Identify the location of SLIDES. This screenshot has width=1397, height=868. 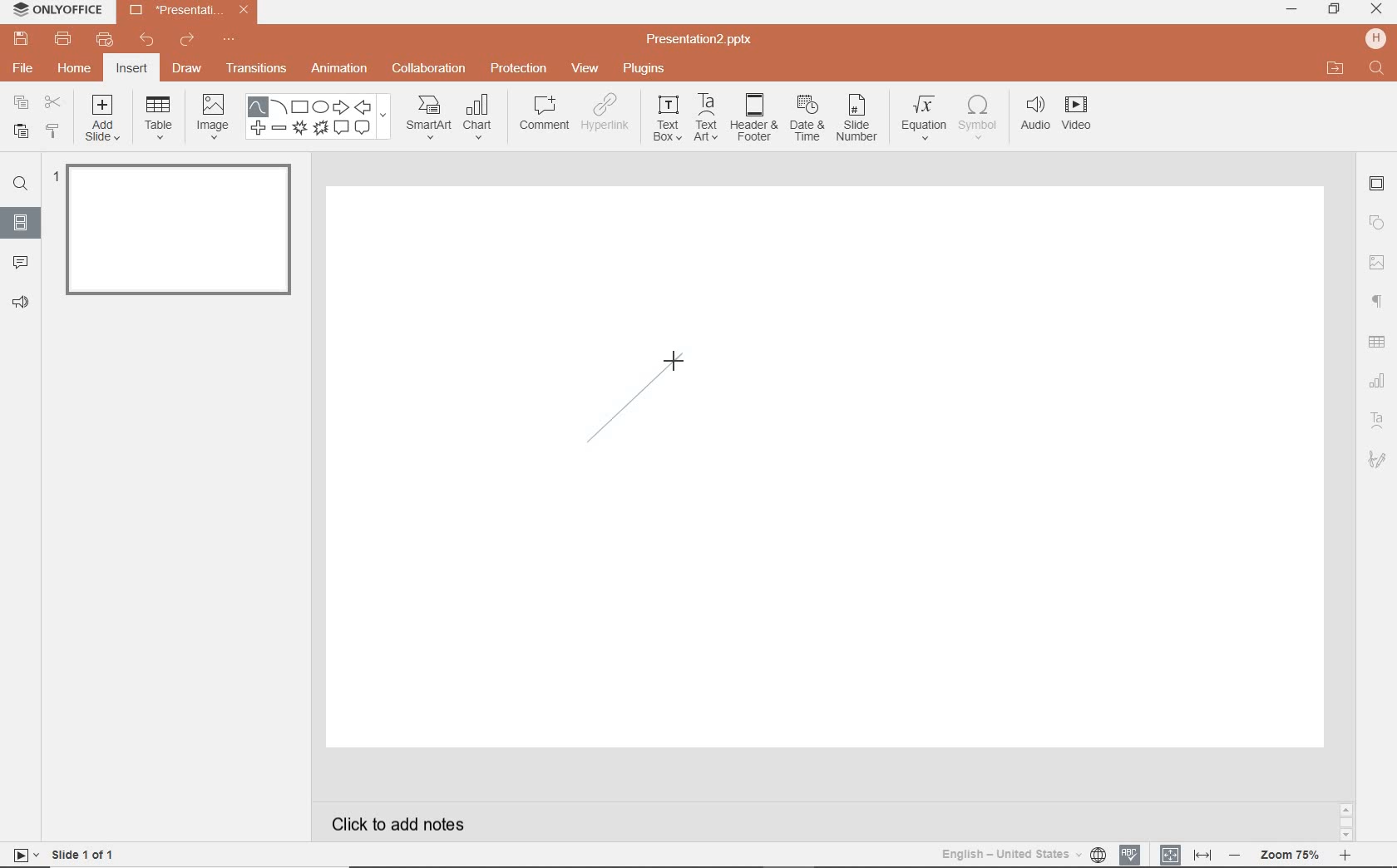
(20, 222).